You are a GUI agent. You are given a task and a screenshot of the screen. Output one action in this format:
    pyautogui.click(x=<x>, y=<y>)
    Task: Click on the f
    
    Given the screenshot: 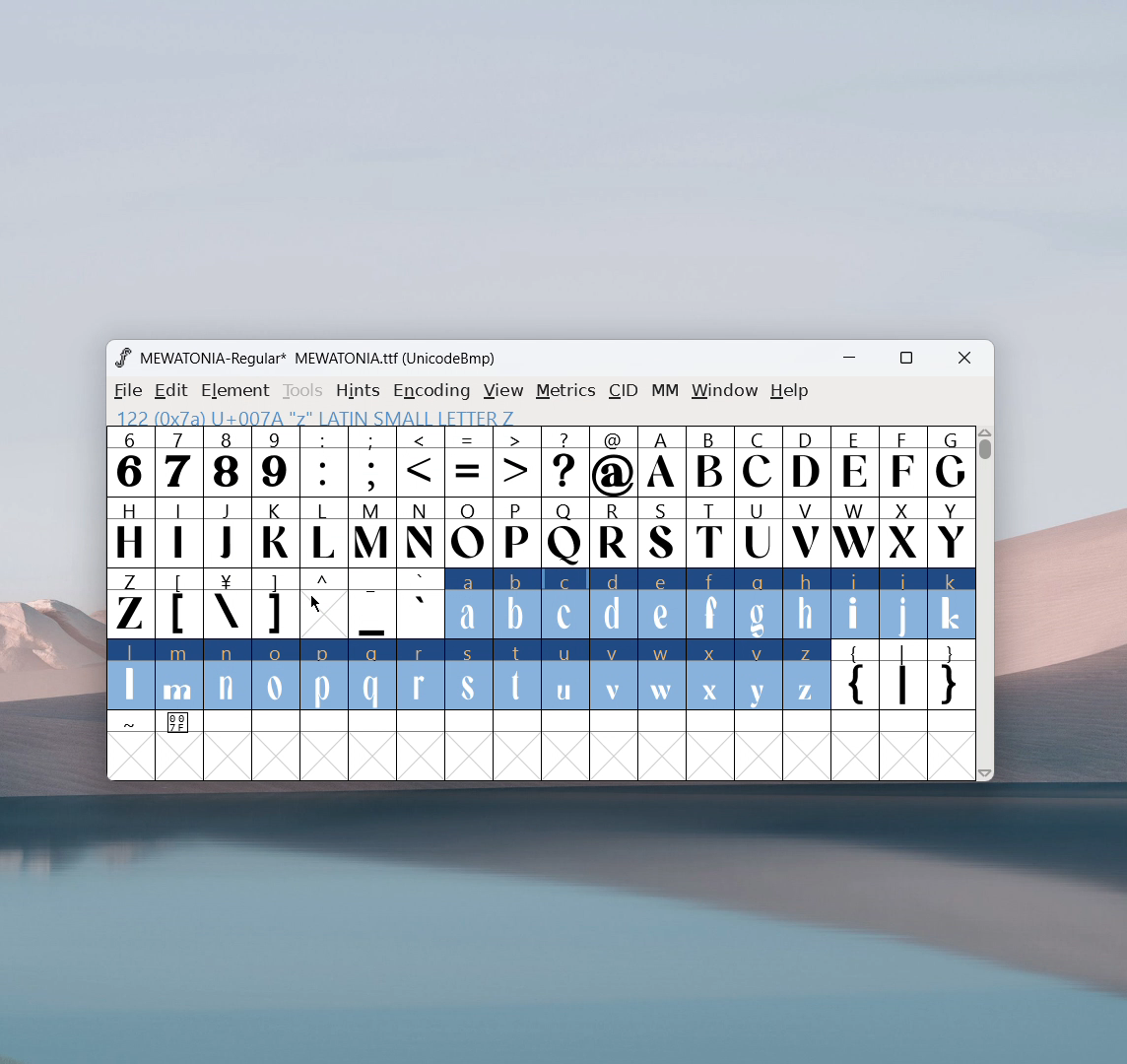 What is the action you would take?
    pyautogui.click(x=711, y=603)
    